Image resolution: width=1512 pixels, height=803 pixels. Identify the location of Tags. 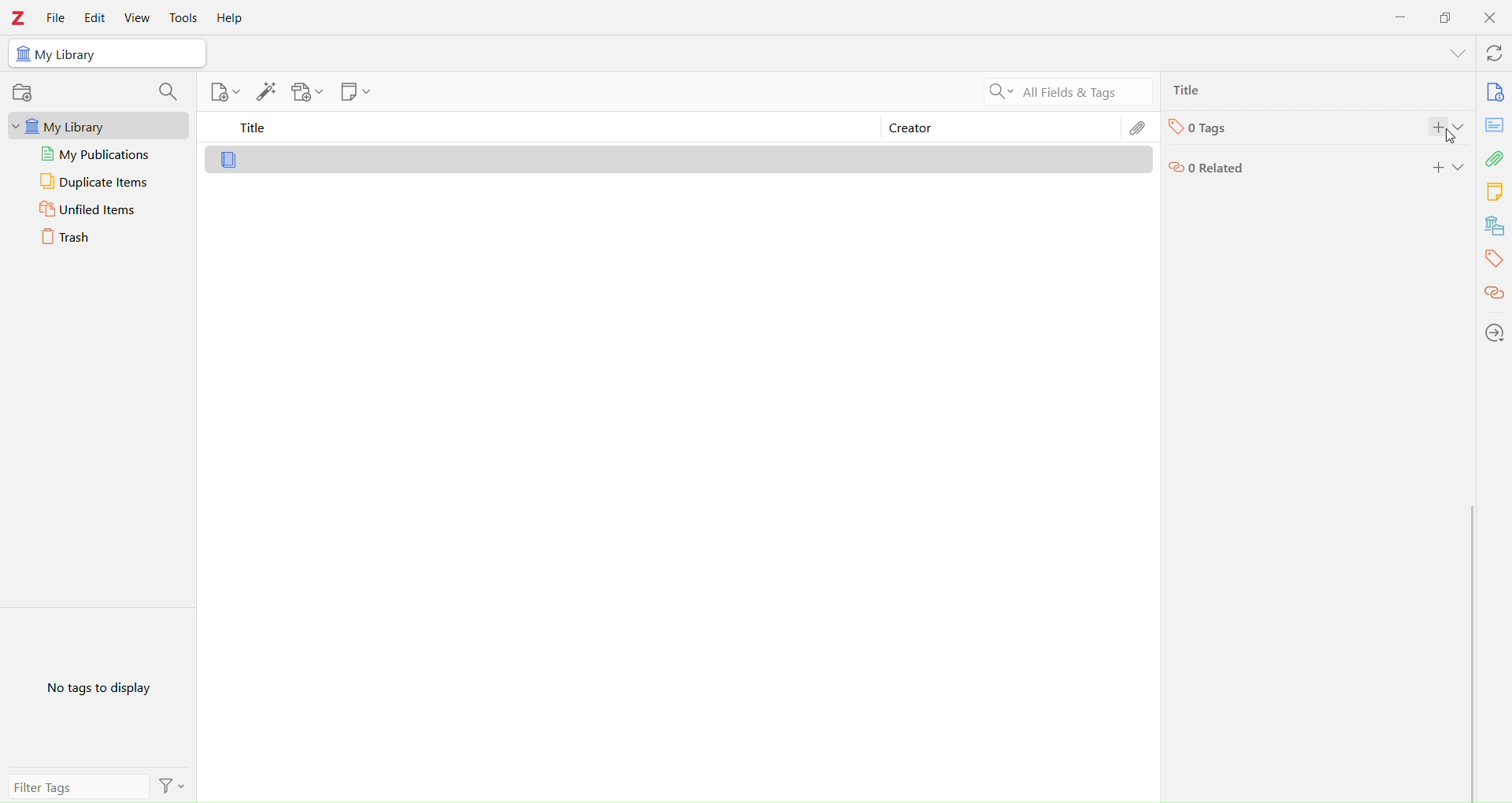
(1205, 130).